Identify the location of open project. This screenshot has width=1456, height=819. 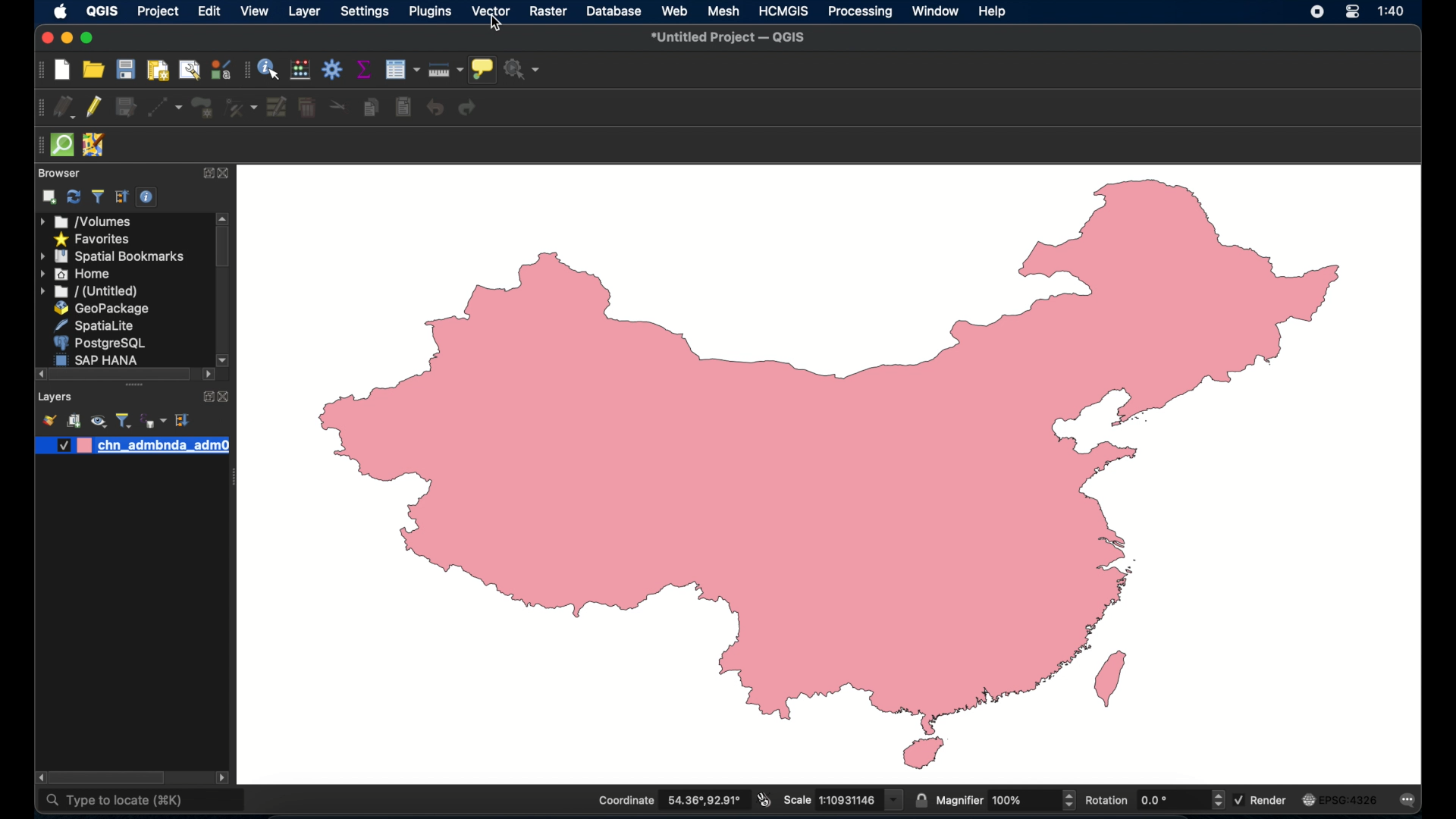
(93, 70).